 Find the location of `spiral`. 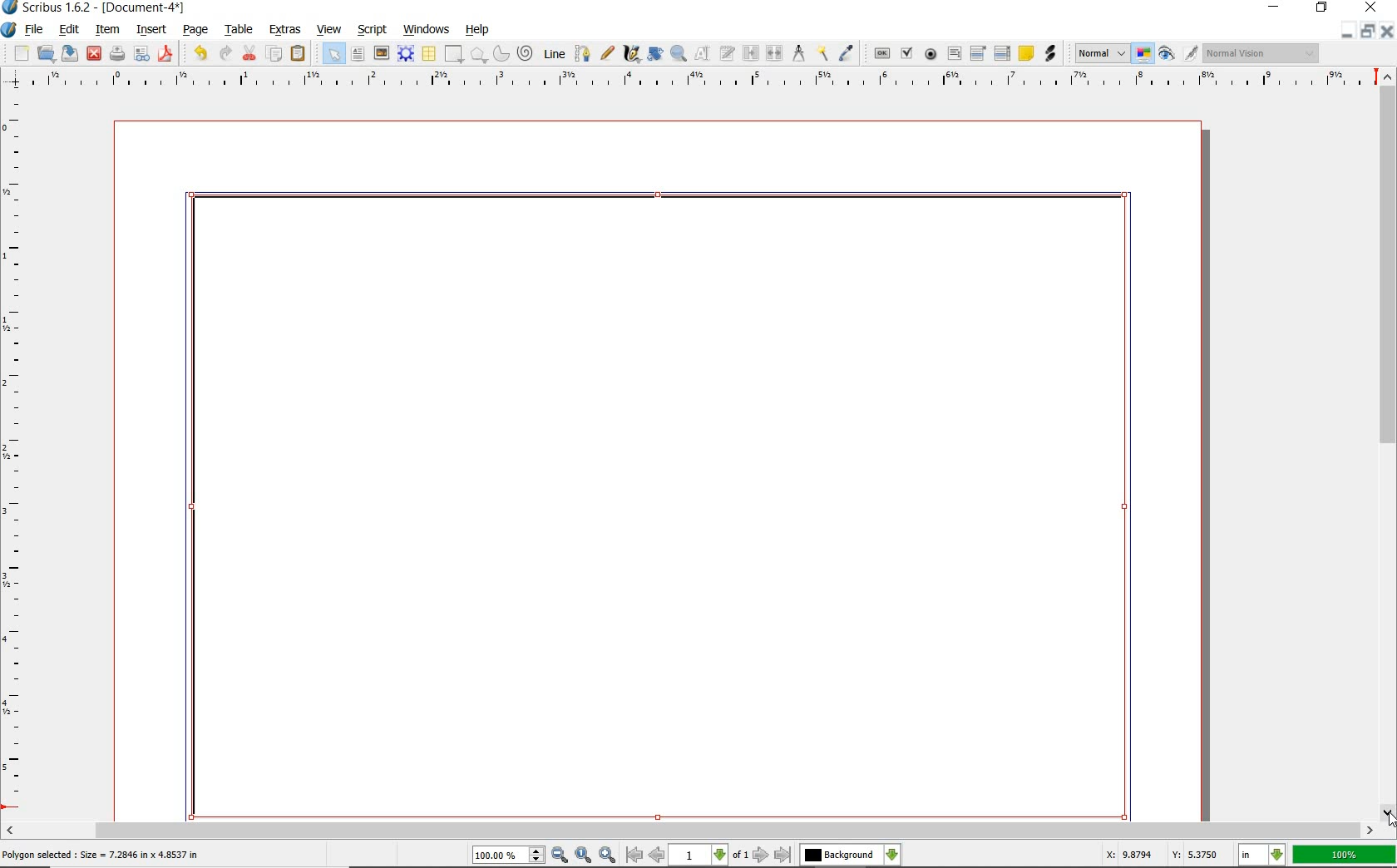

spiral is located at coordinates (526, 53).